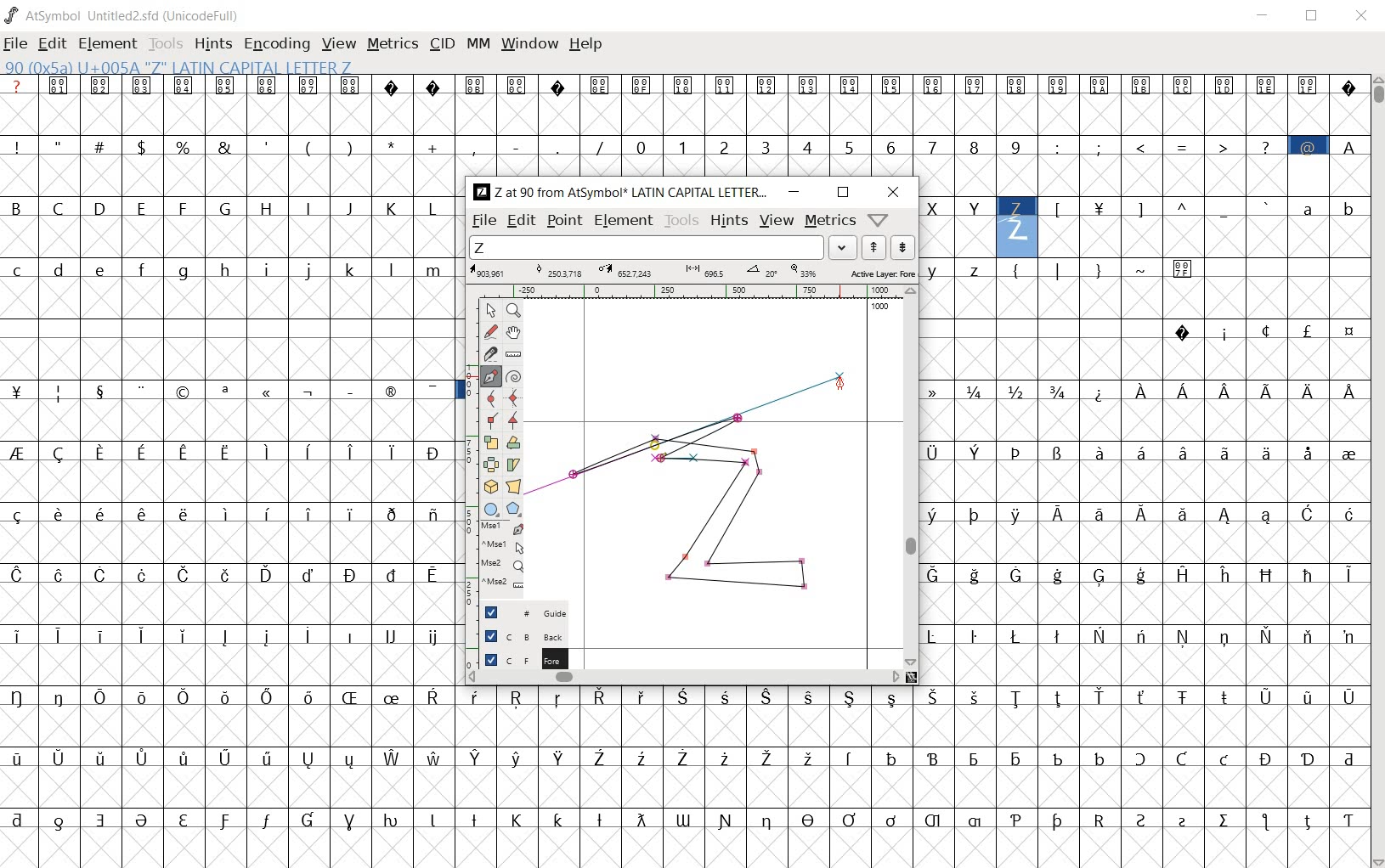 The image size is (1385, 868). Describe the element at coordinates (512, 353) in the screenshot. I see `measure a distance, angle between points` at that location.